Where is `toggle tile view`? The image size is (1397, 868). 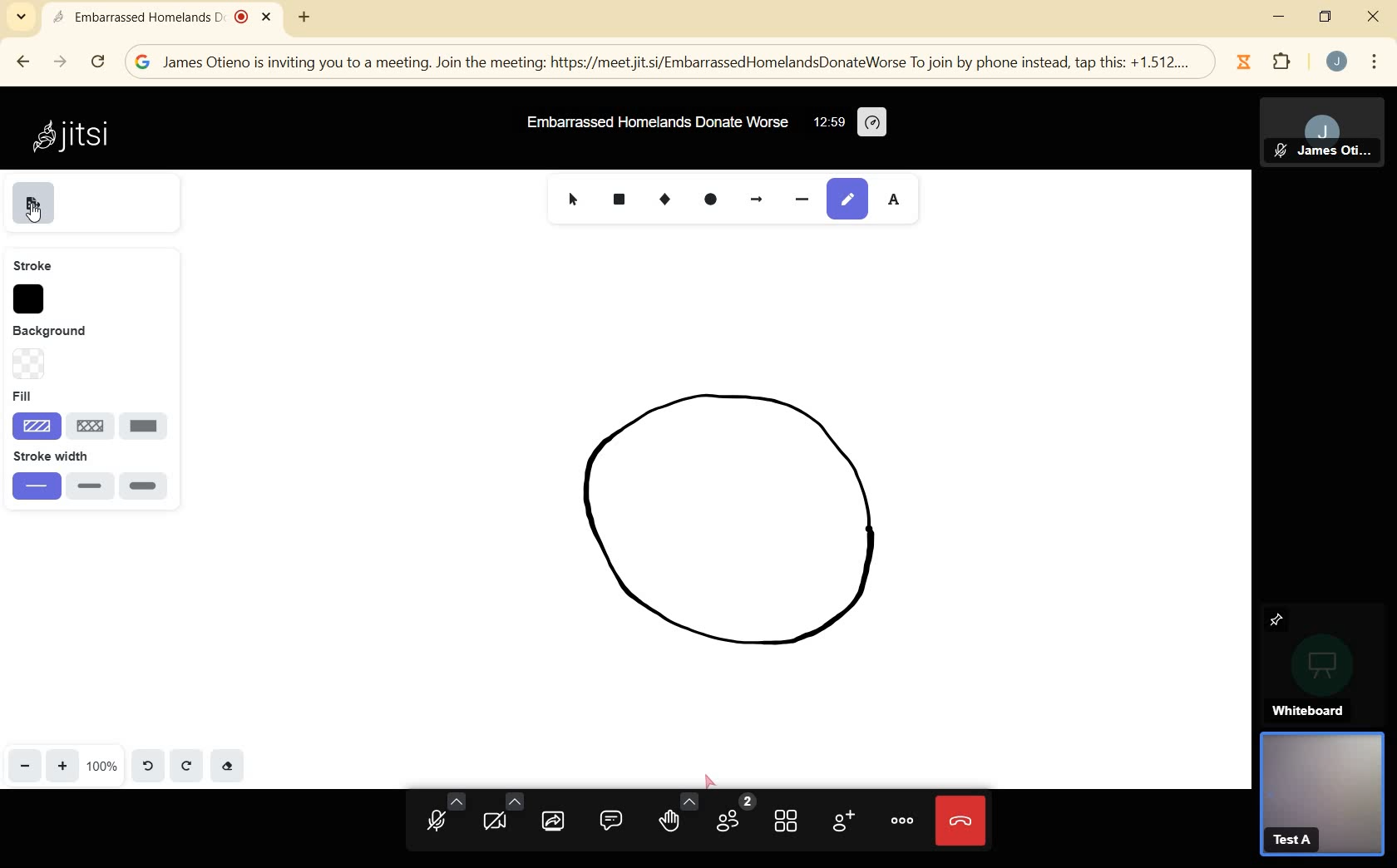
toggle tile view is located at coordinates (788, 824).